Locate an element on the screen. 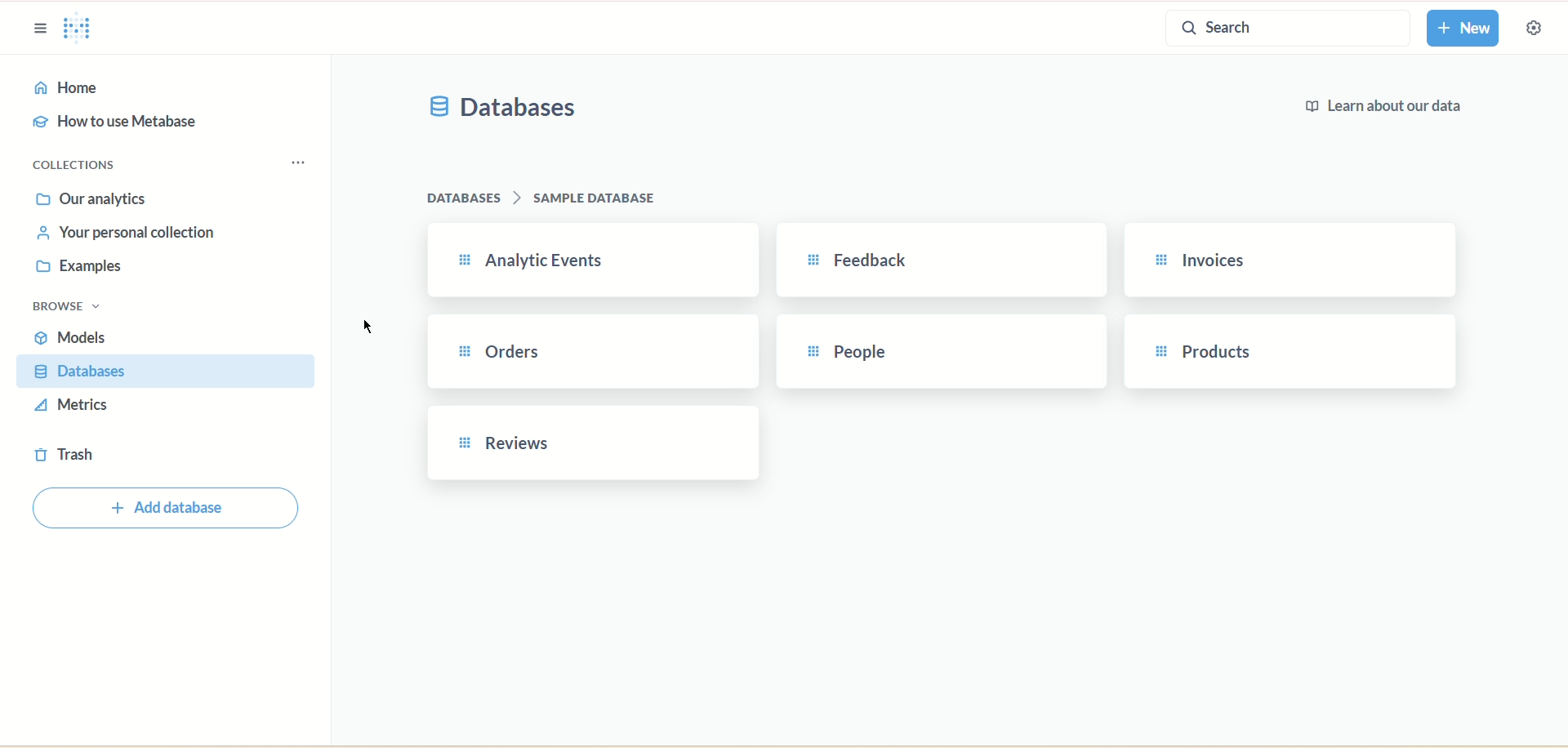 This screenshot has width=1568, height=748. reviews is located at coordinates (587, 447).